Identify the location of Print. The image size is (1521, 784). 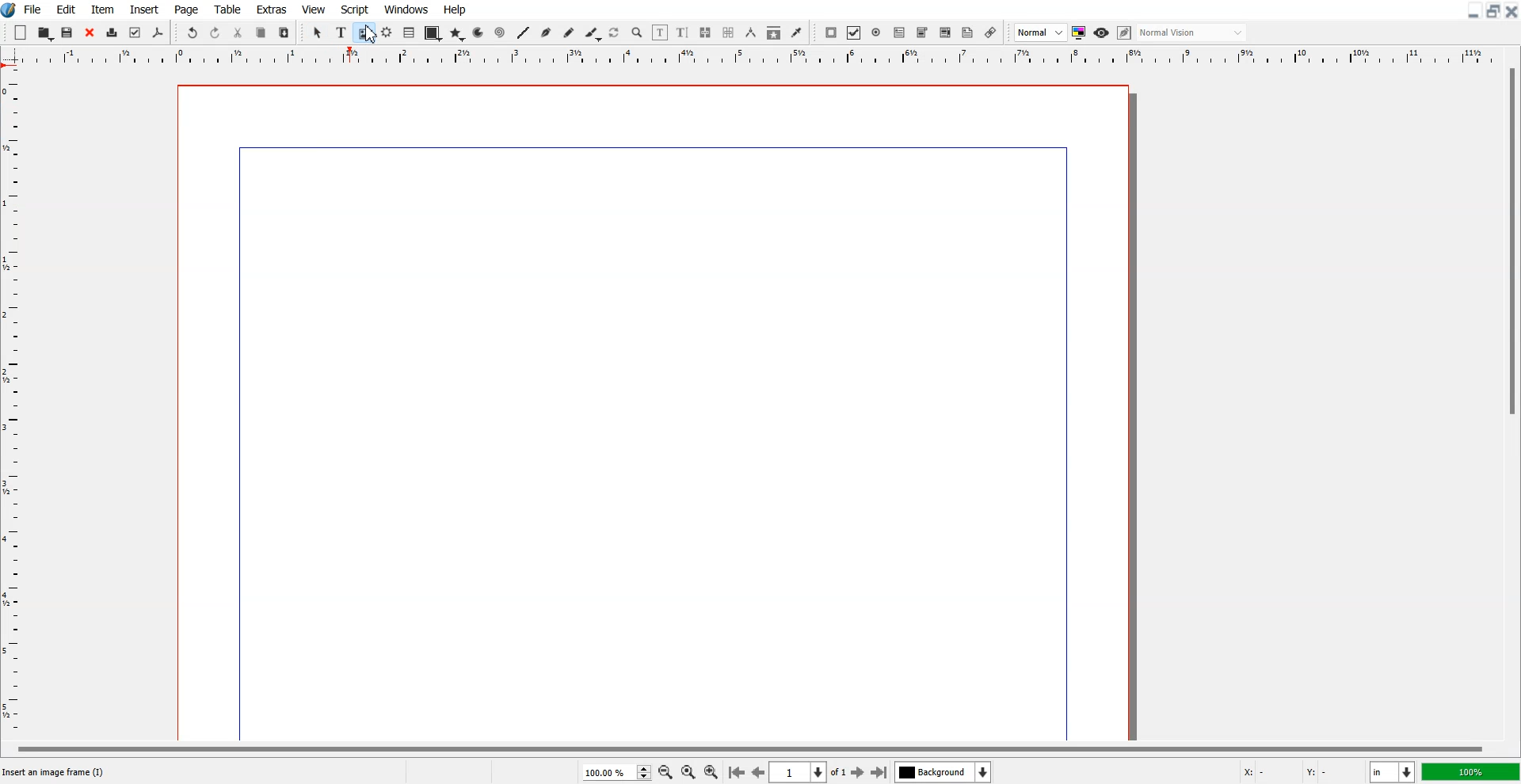
(112, 32).